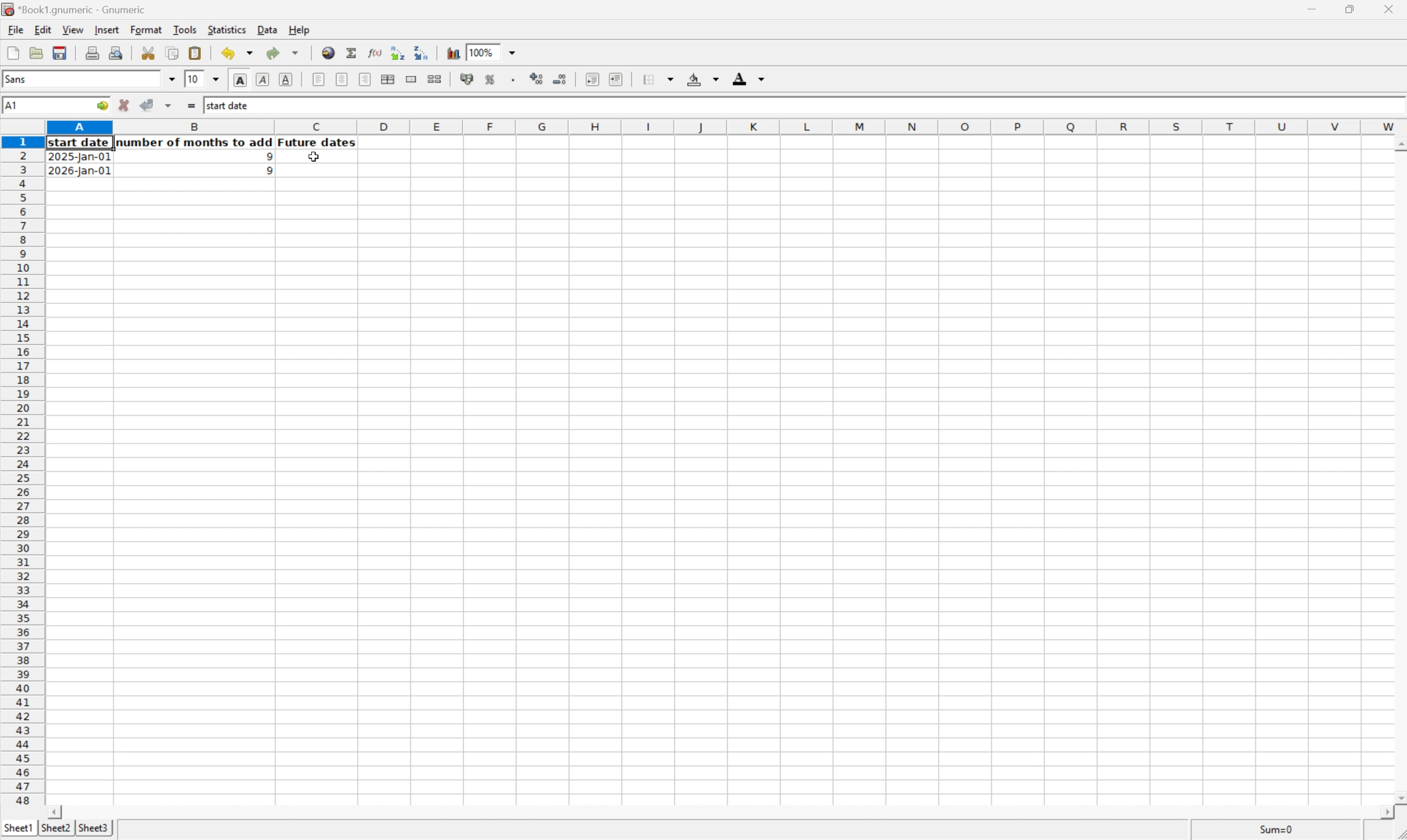  I want to click on Sheet3, so click(95, 829).